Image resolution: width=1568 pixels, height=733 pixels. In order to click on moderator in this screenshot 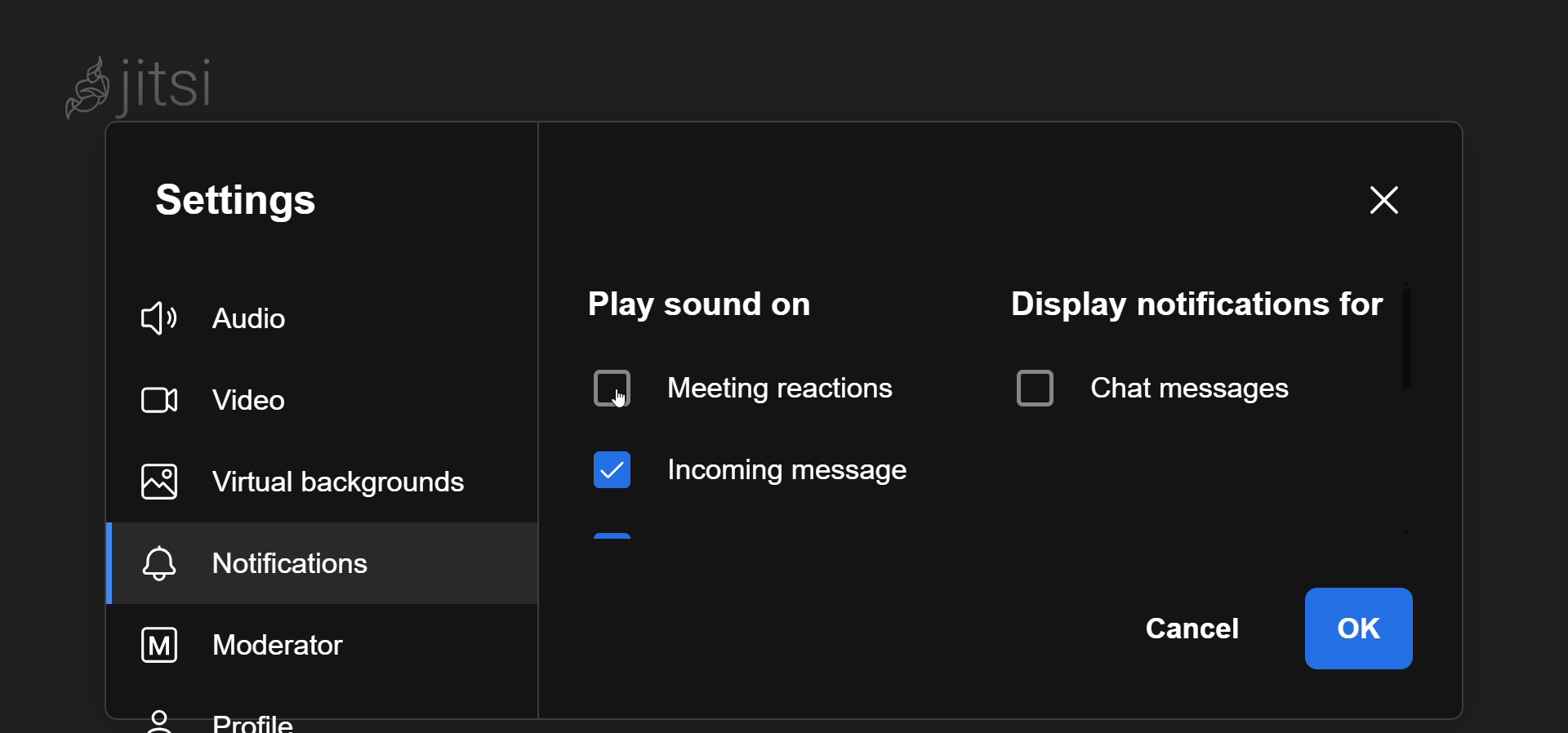, I will do `click(249, 642)`.